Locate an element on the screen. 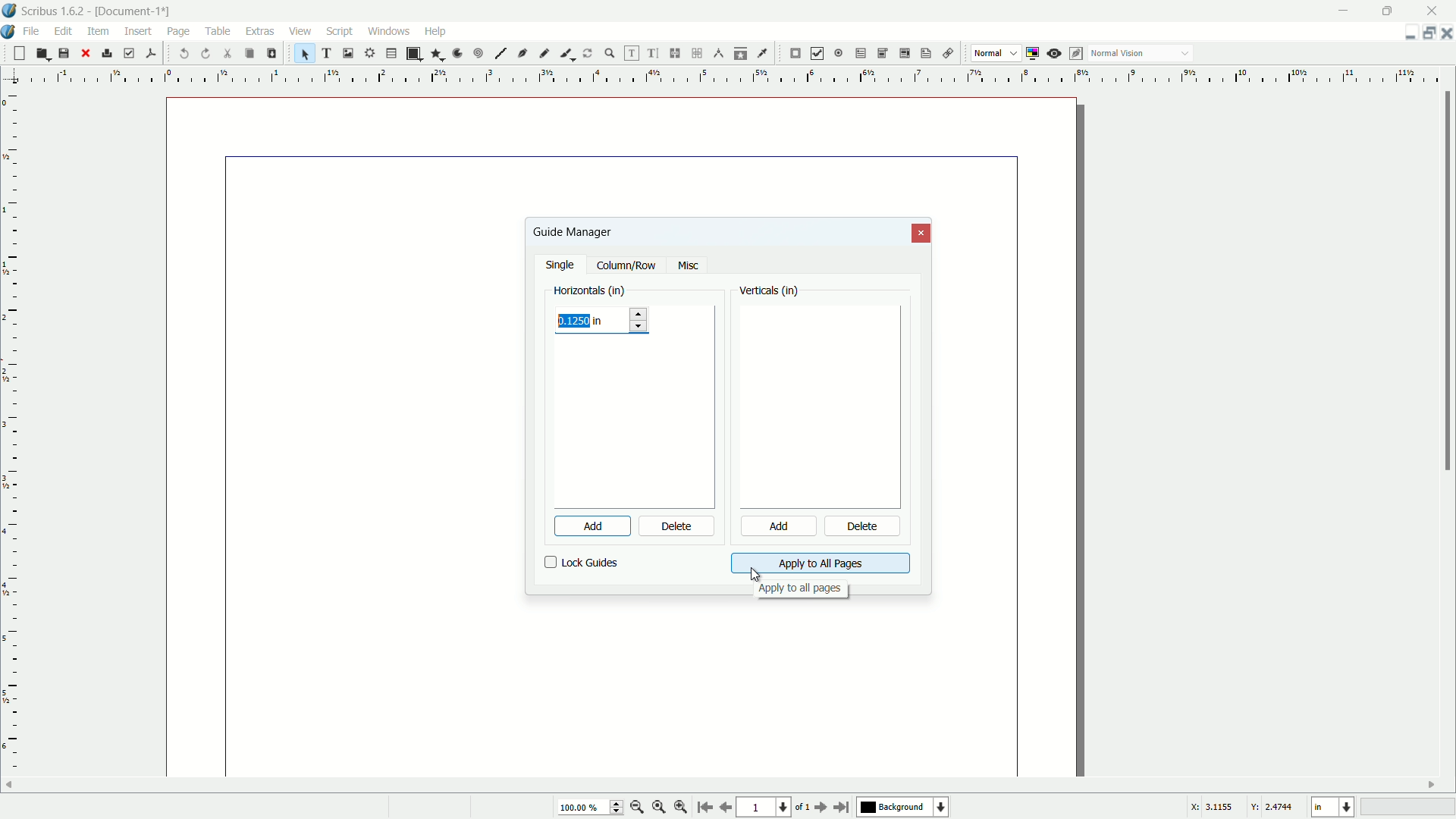 The width and height of the screenshot is (1456, 819). close is located at coordinates (85, 53).